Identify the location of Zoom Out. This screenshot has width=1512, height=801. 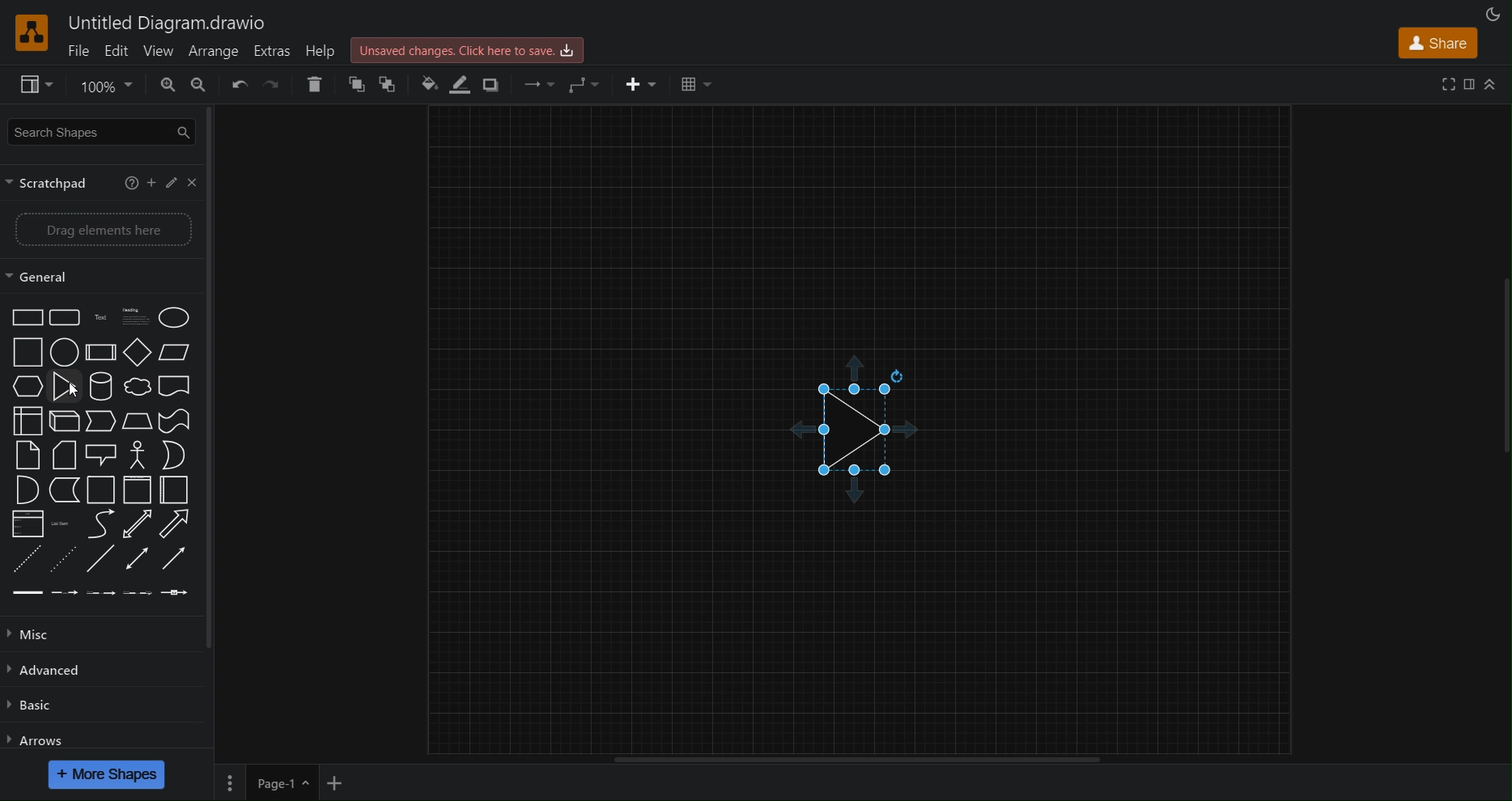
(204, 85).